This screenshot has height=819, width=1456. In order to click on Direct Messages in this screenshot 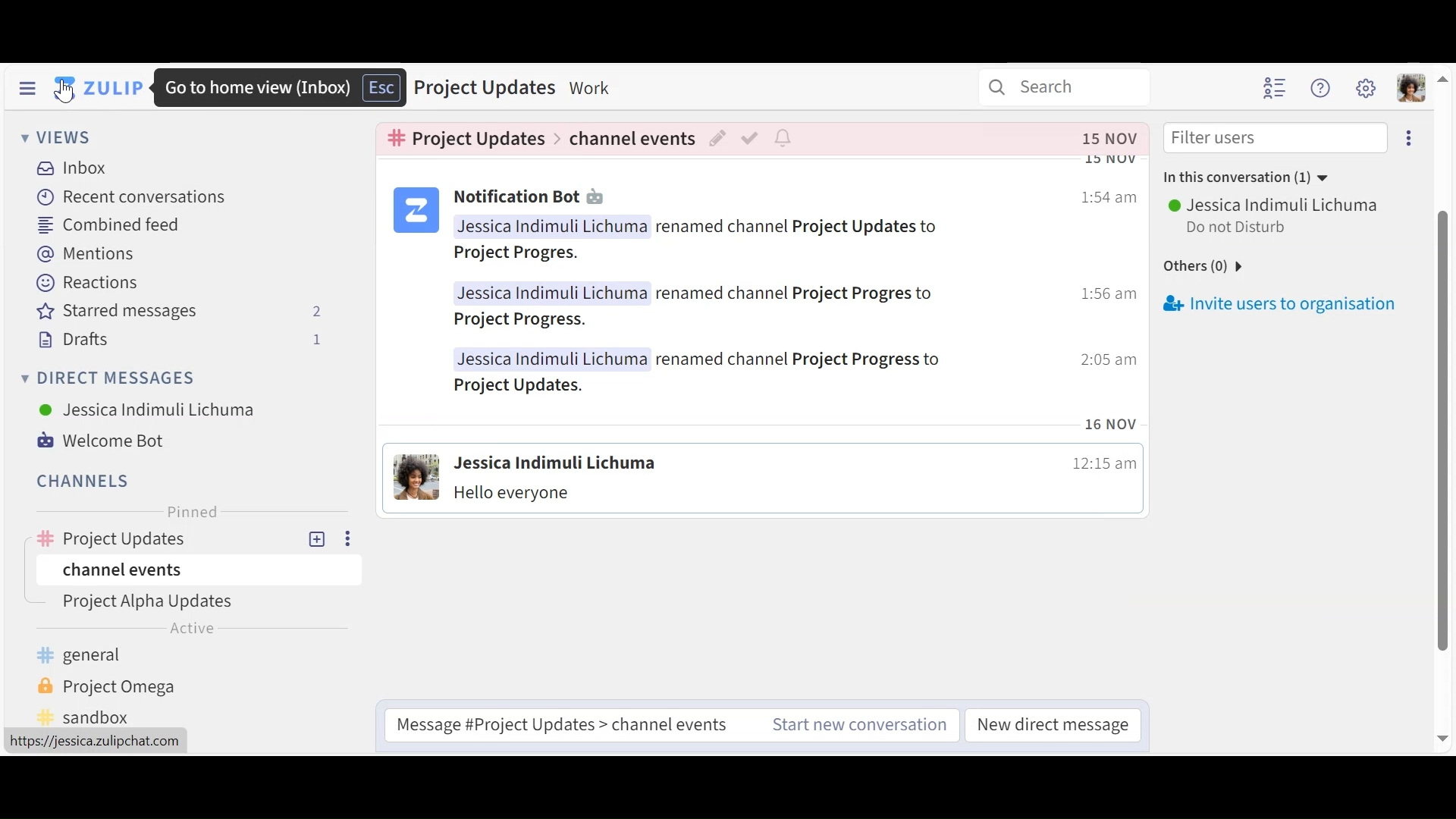, I will do `click(110, 377)`.